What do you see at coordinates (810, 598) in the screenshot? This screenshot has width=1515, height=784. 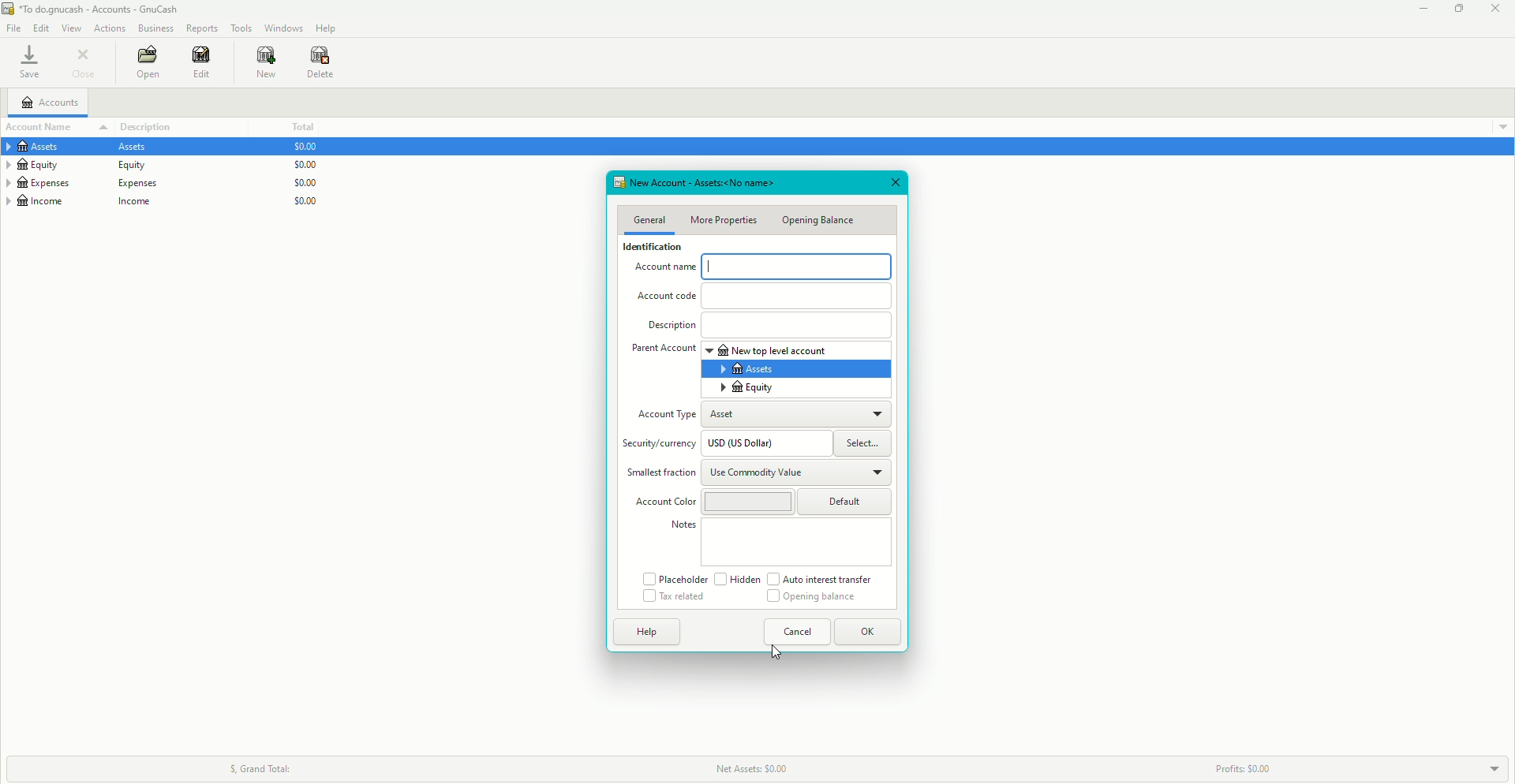 I see `Opening Balance` at bounding box center [810, 598].